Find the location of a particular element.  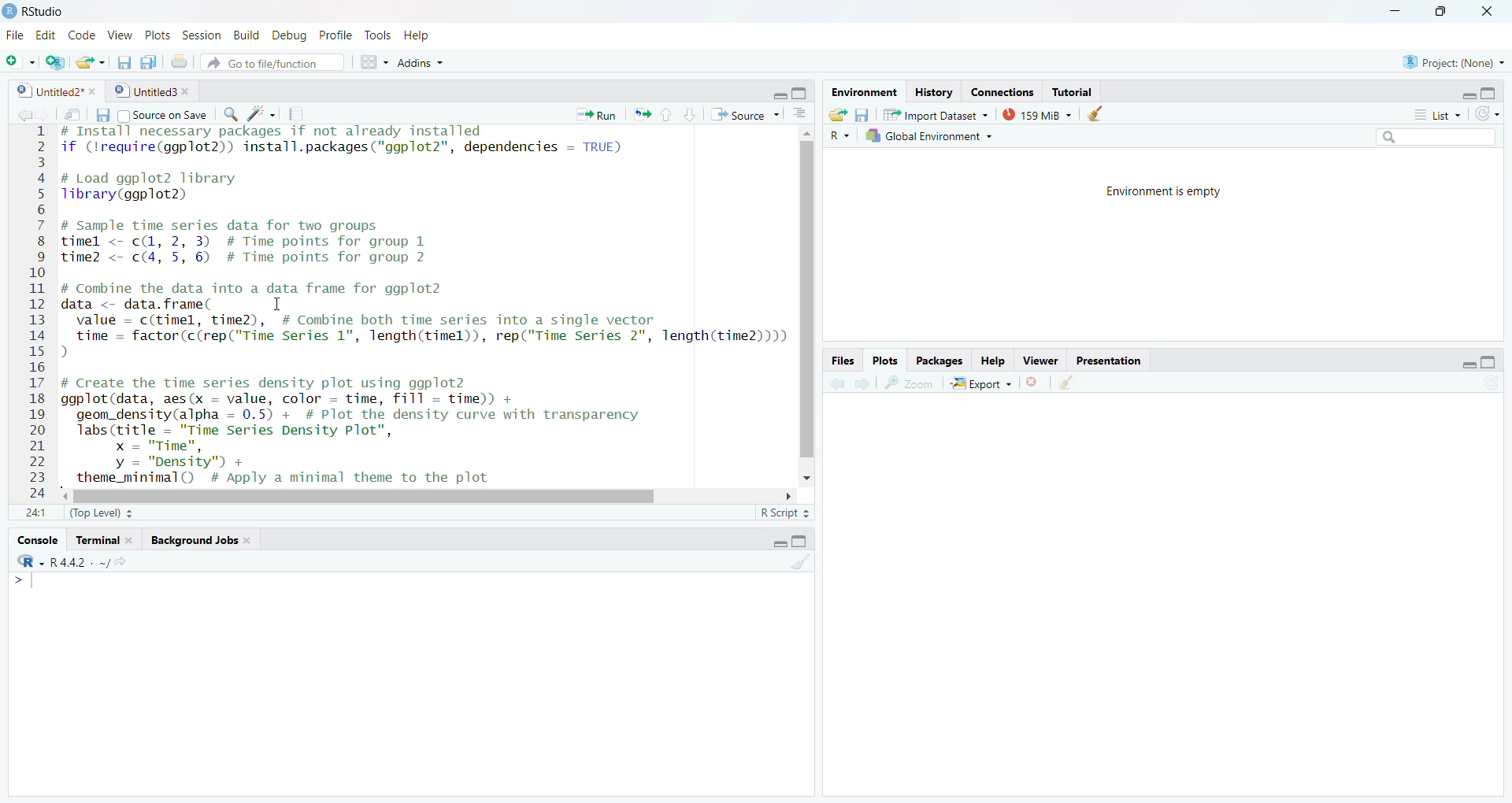

R is located at coordinates (840, 136).